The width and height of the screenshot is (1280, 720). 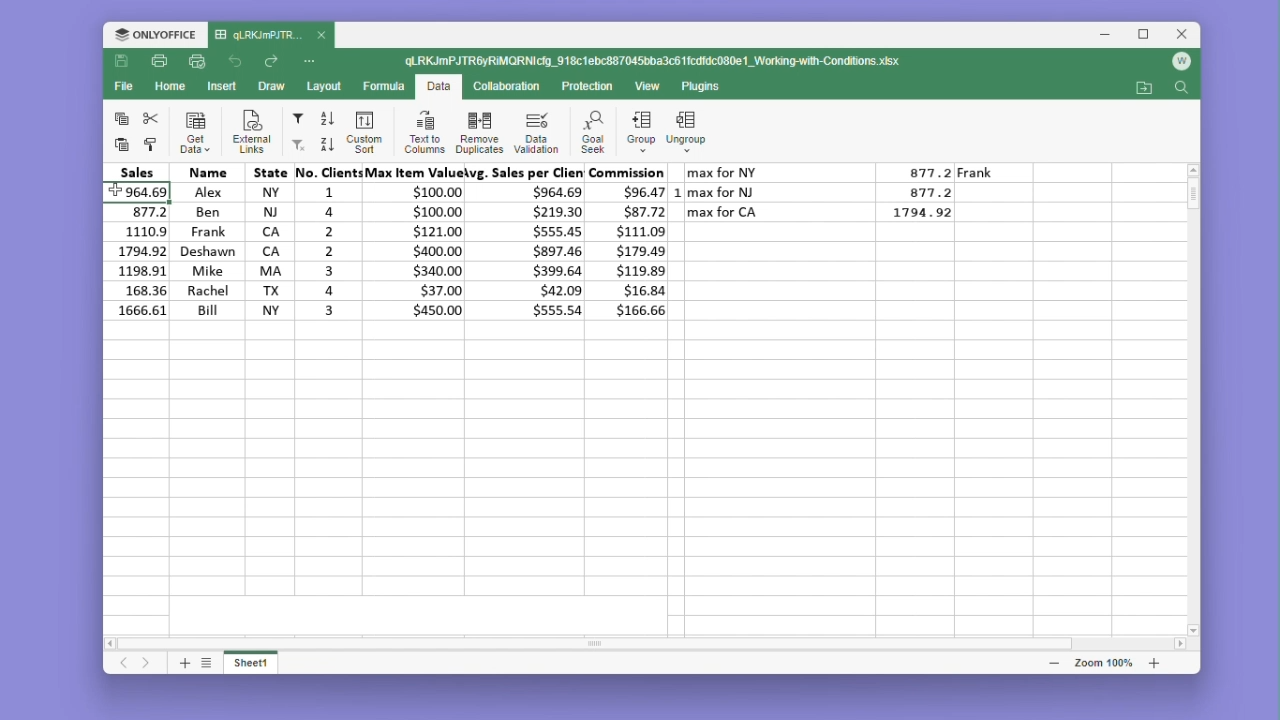 What do you see at coordinates (362, 132) in the screenshot?
I see `custom sort` at bounding box center [362, 132].